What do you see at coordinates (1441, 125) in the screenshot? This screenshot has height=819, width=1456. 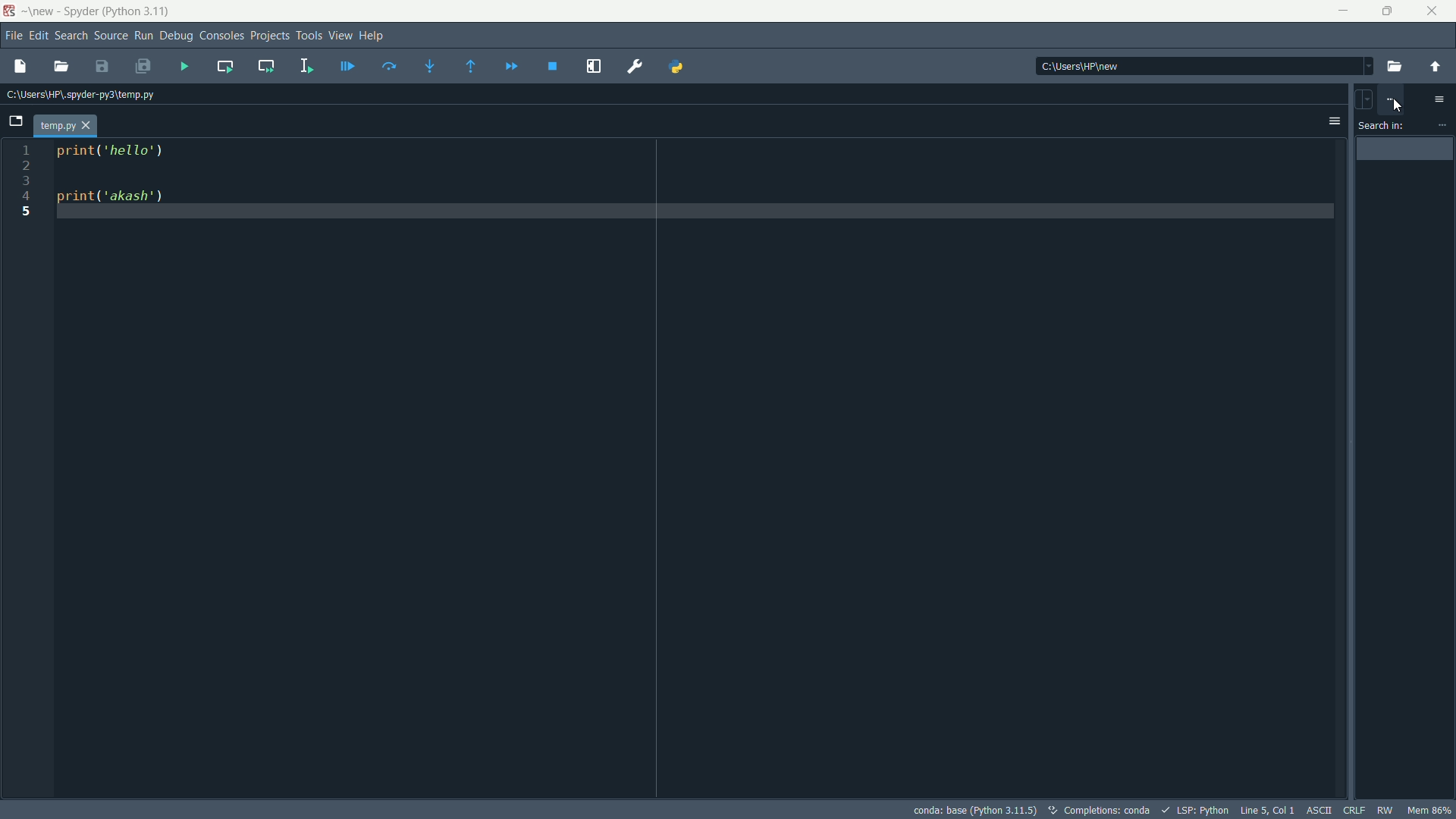 I see `settings` at bounding box center [1441, 125].